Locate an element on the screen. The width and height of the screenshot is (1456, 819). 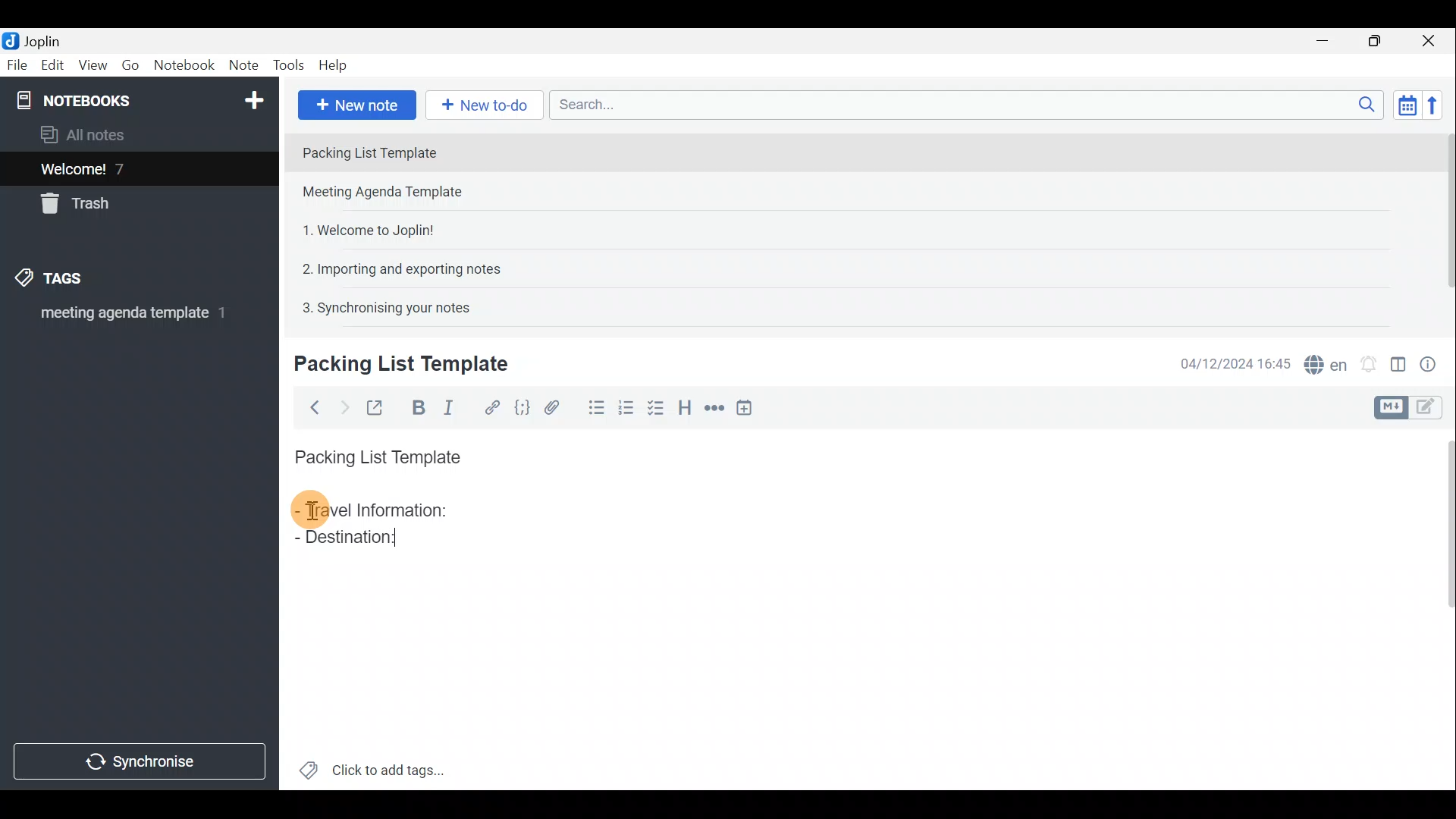
Note 3 is located at coordinates (362, 228).